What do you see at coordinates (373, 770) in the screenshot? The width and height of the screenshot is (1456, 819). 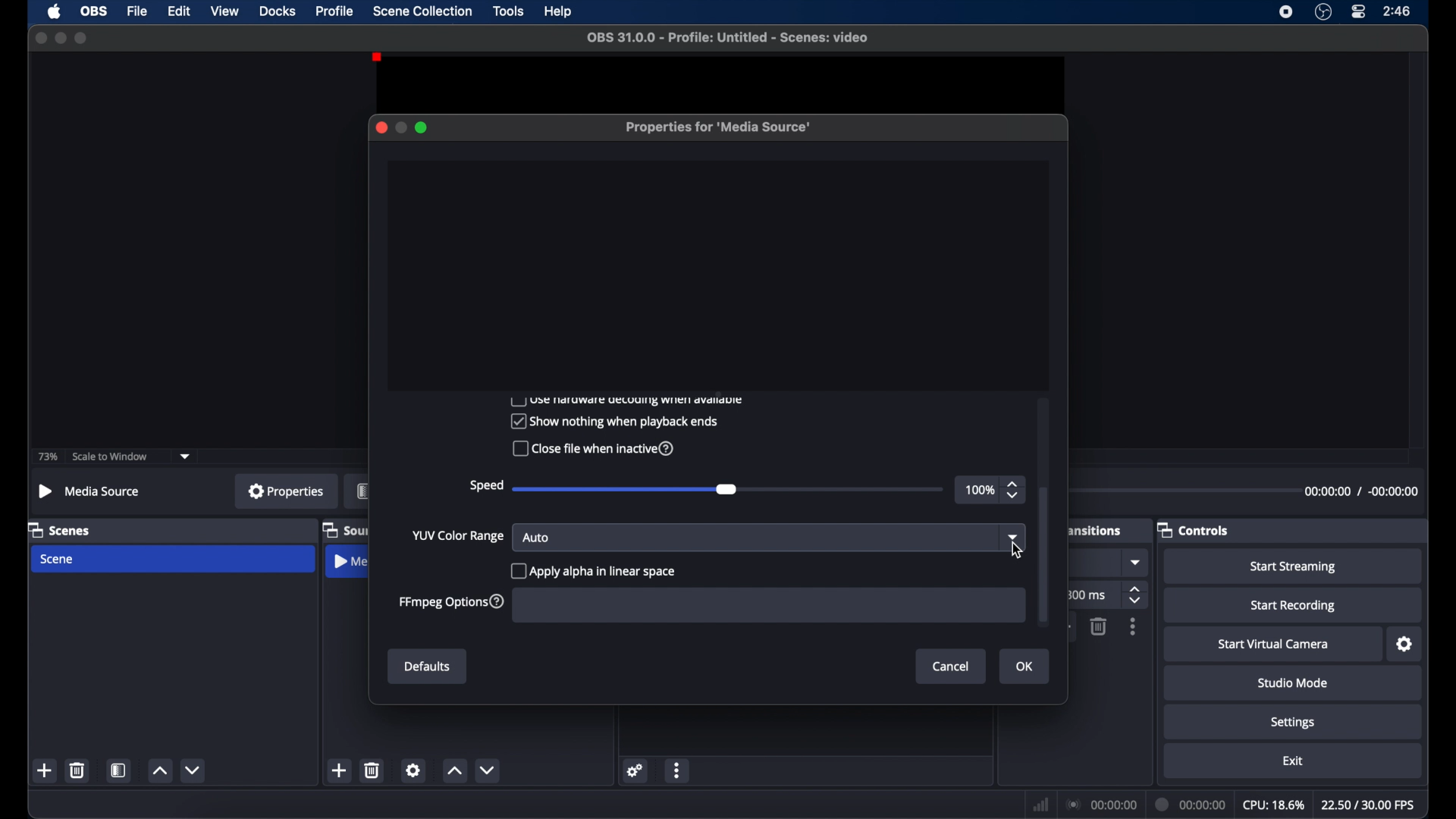 I see `delete` at bounding box center [373, 770].